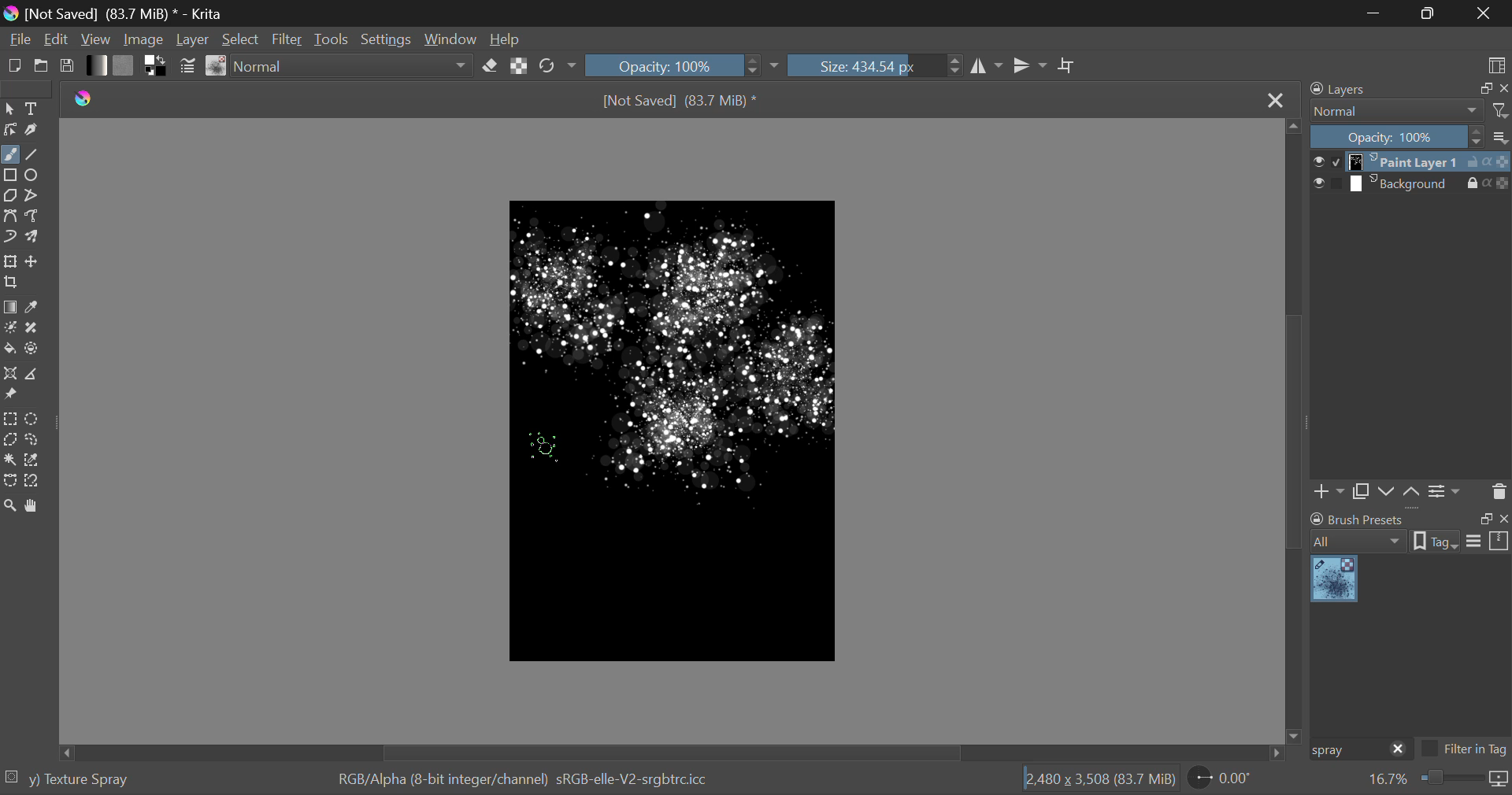 The height and width of the screenshot is (795, 1512). Describe the element at coordinates (354, 66) in the screenshot. I see `Blending Mode` at that location.